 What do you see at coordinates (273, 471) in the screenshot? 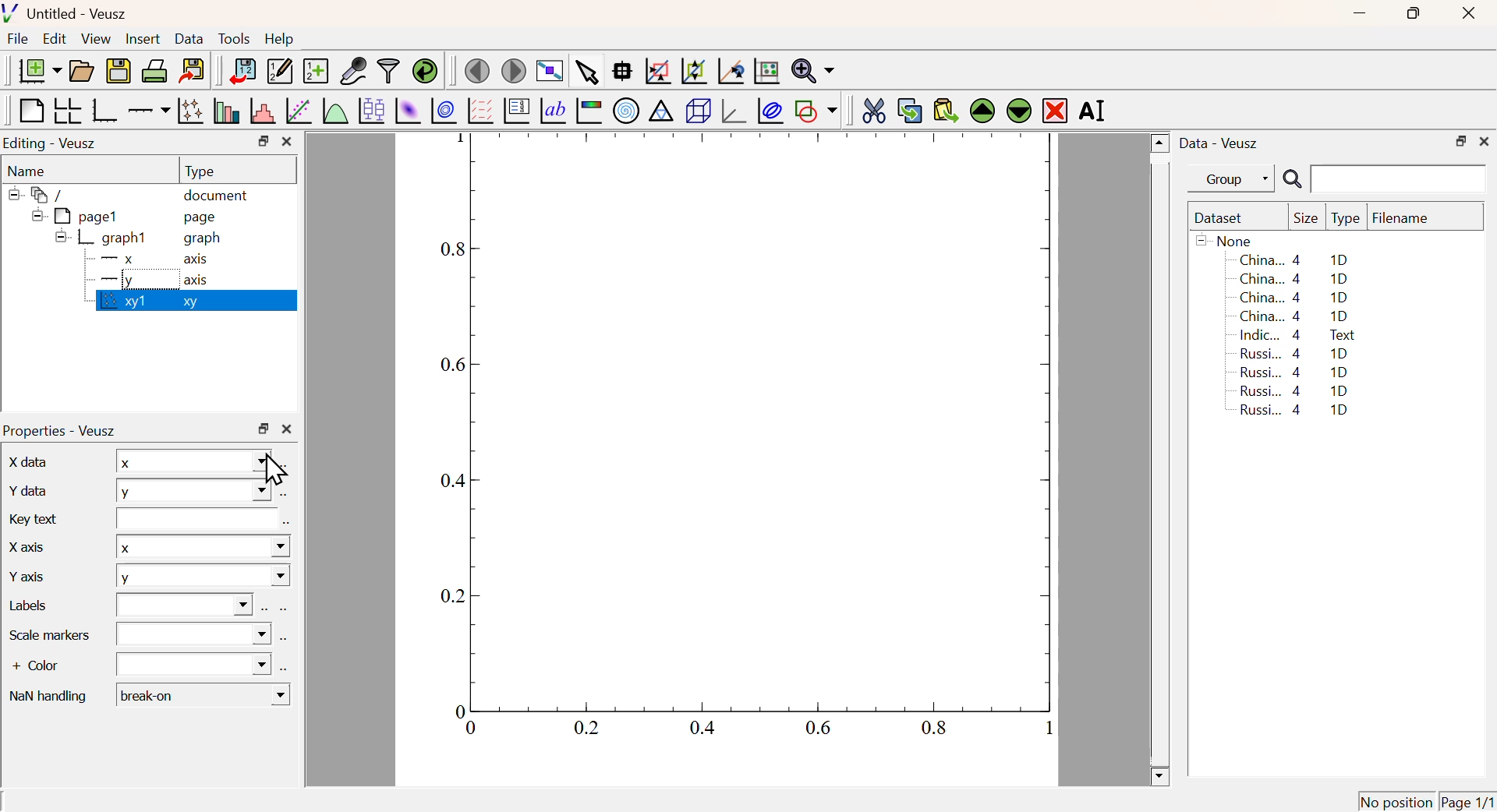
I see `Cursor` at bounding box center [273, 471].